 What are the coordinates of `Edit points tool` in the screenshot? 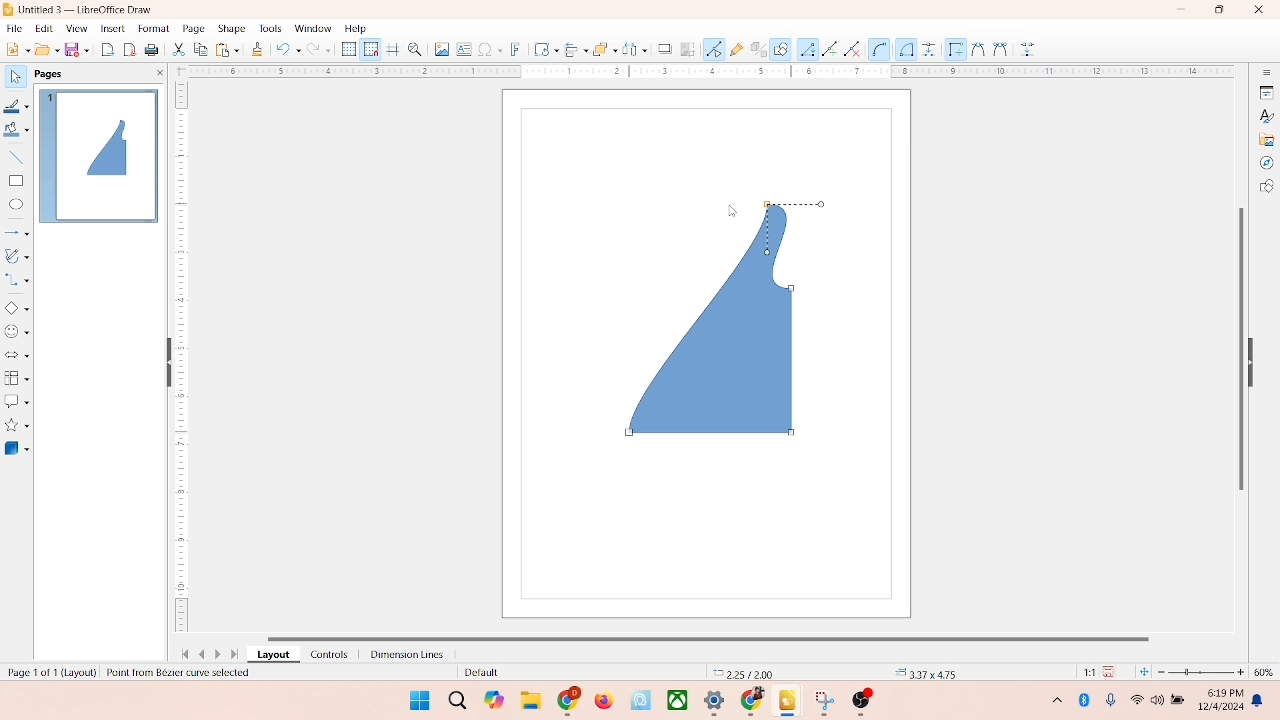 It's located at (953, 48).